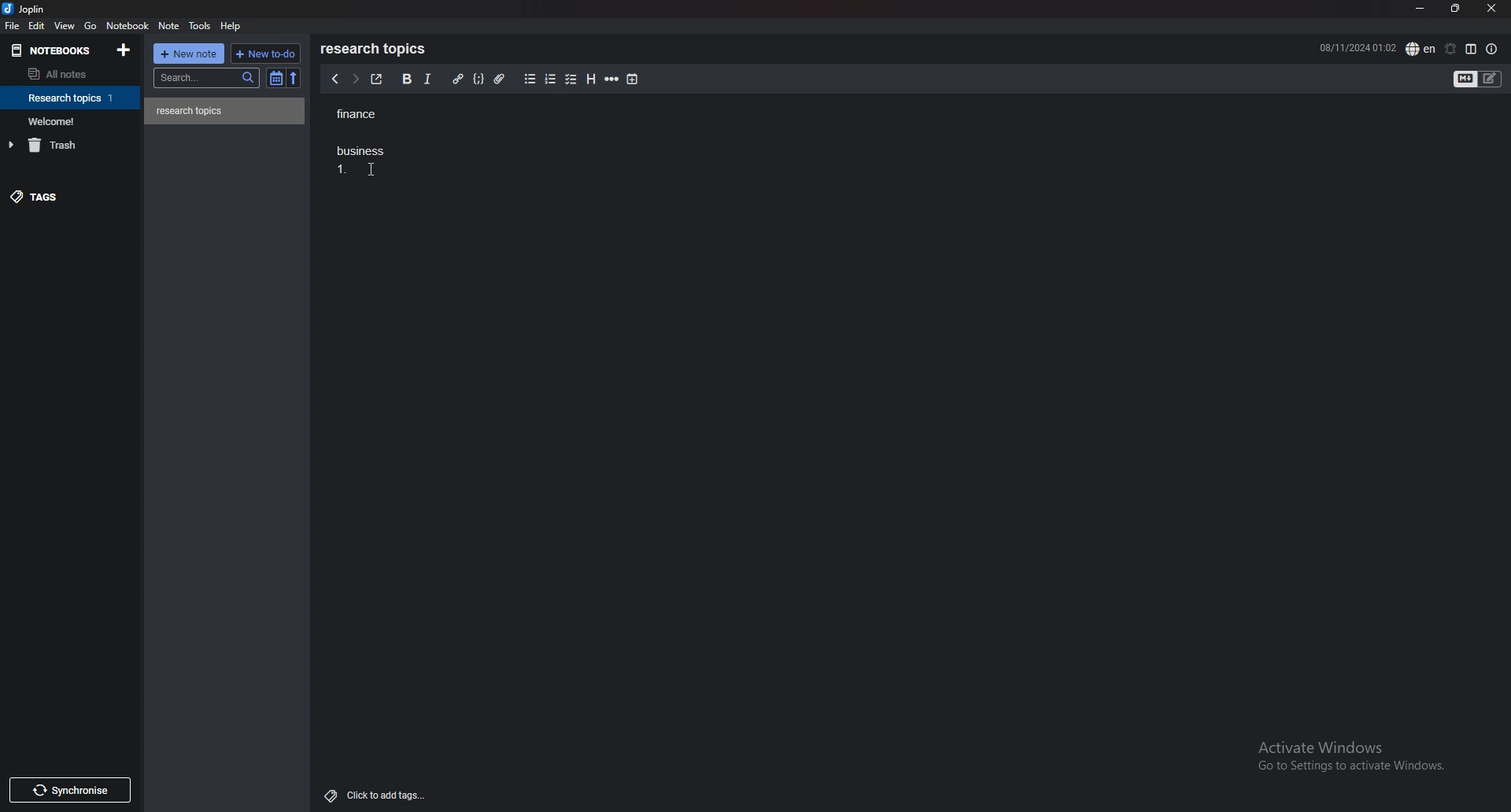 This screenshot has height=812, width=1511. What do you see at coordinates (1449, 49) in the screenshot?
I see `set alarm` at bounding box center [1449, 49].